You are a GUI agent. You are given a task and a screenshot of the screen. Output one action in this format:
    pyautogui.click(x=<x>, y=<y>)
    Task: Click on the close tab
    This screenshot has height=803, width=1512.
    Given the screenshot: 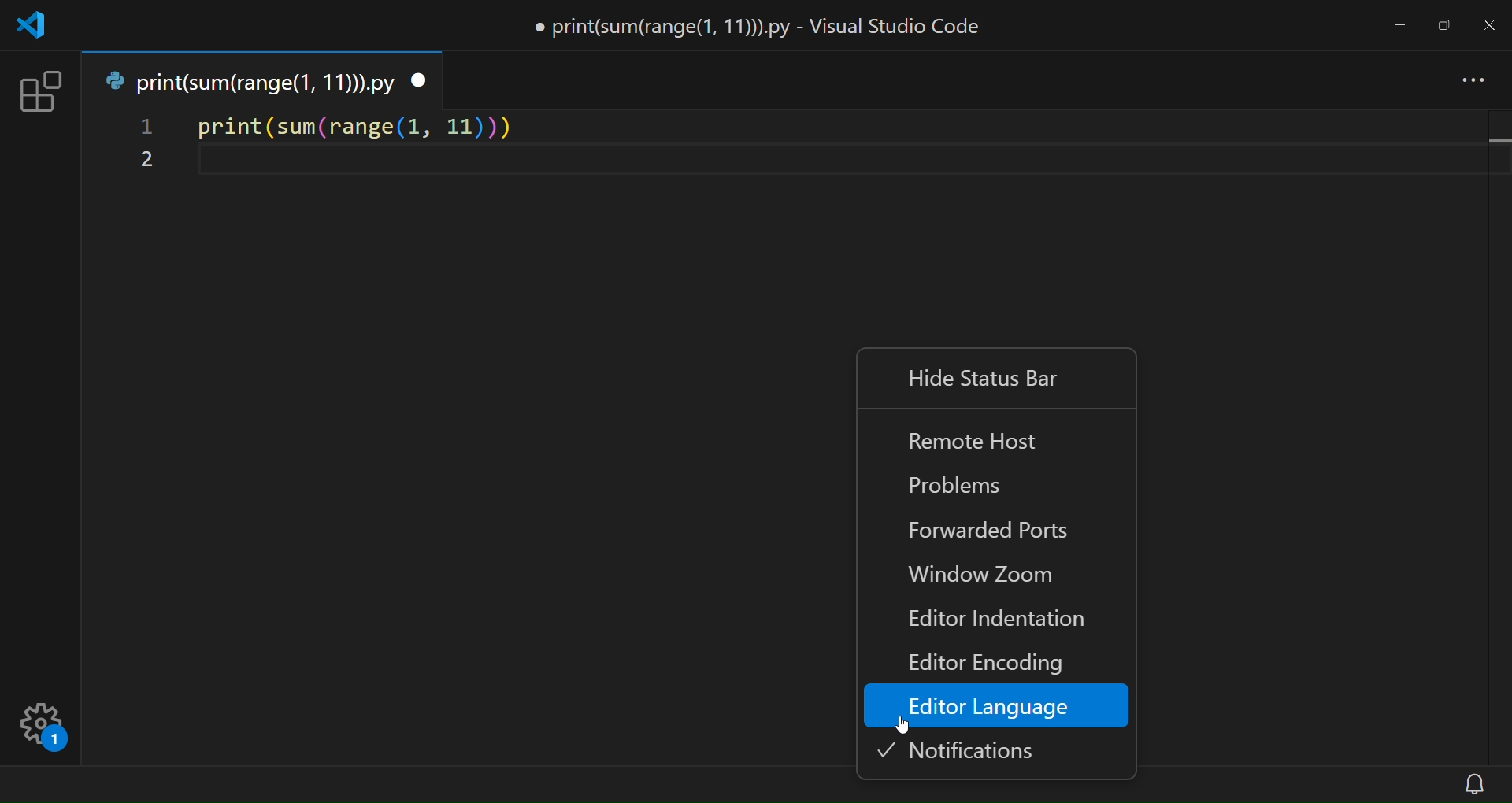 What is the action you would take?
    pyautogui.click(x=420, y=81)
    